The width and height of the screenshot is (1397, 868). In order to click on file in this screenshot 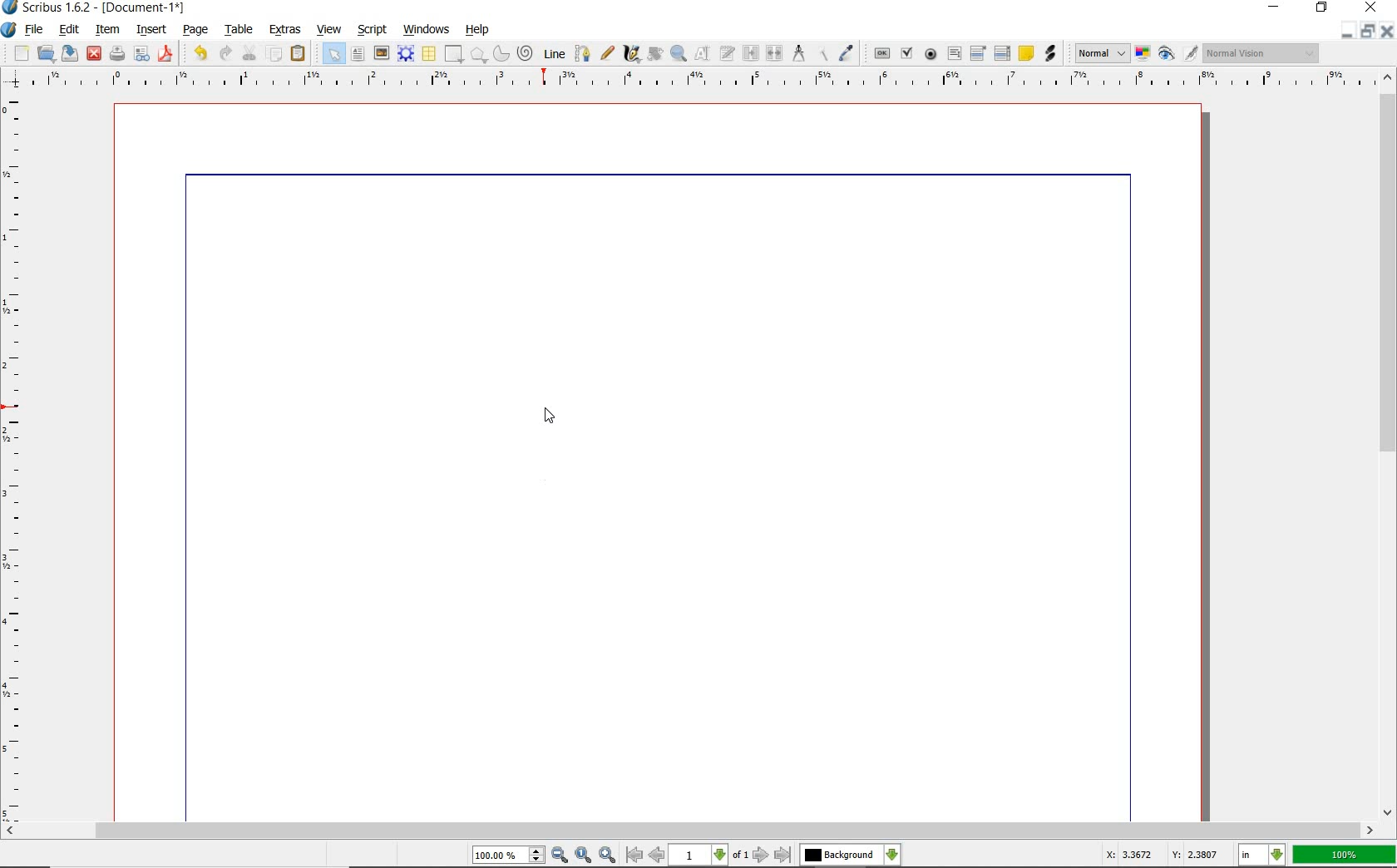, I will do `click(38, 28)`.